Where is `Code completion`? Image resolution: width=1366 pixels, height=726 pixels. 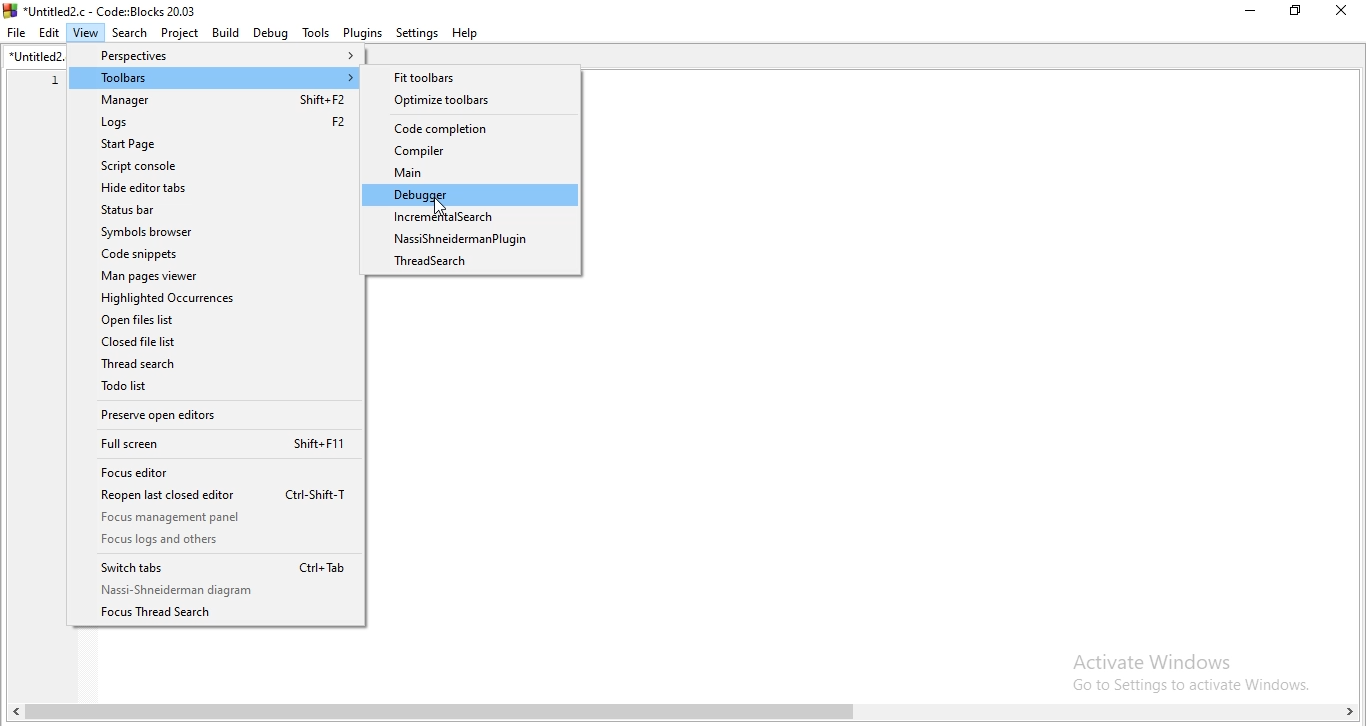 Code completion is located at coordinates (465, 126).